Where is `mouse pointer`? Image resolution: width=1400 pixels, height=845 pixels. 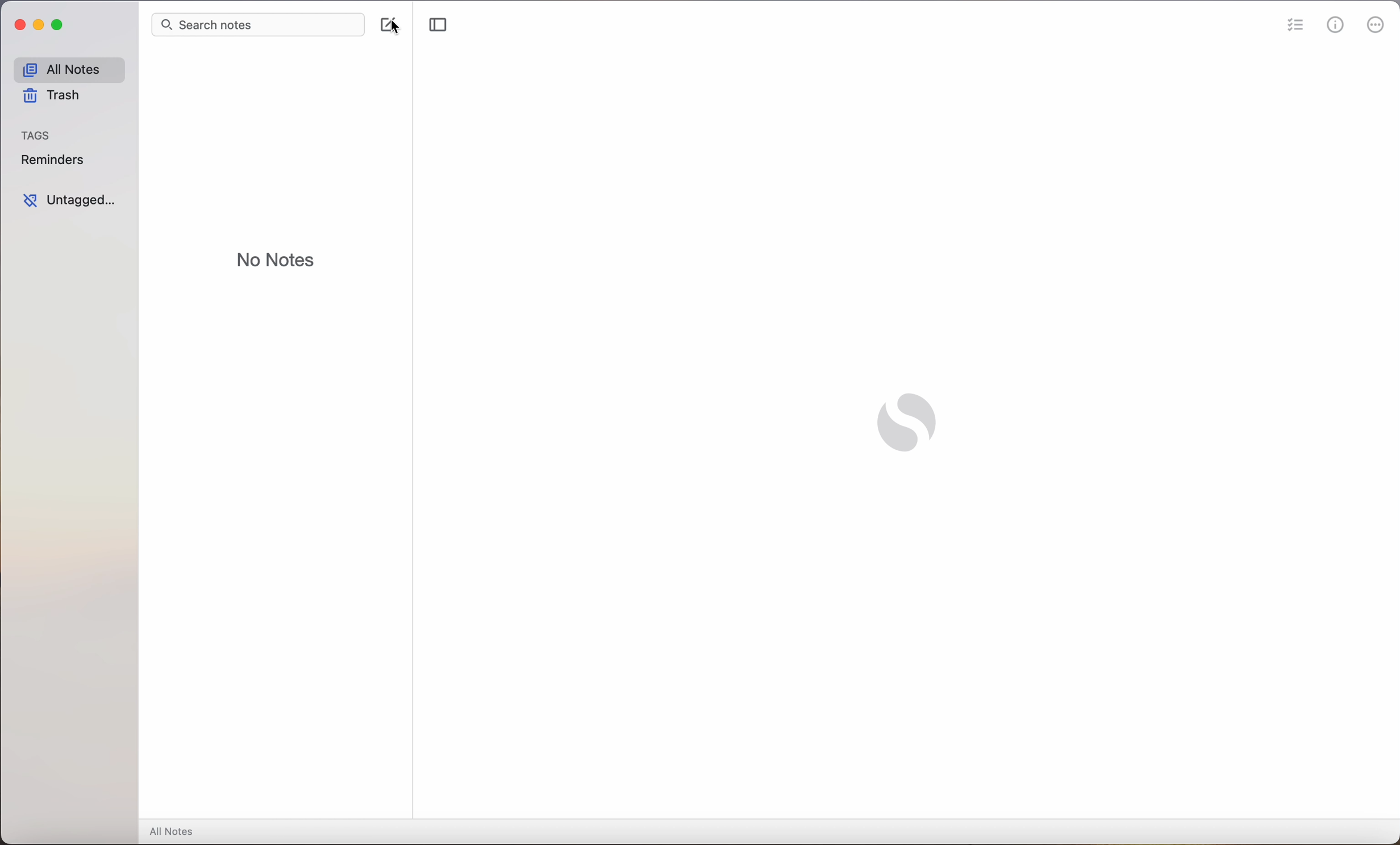 mouse pointer is located at coordinates (396, 27).